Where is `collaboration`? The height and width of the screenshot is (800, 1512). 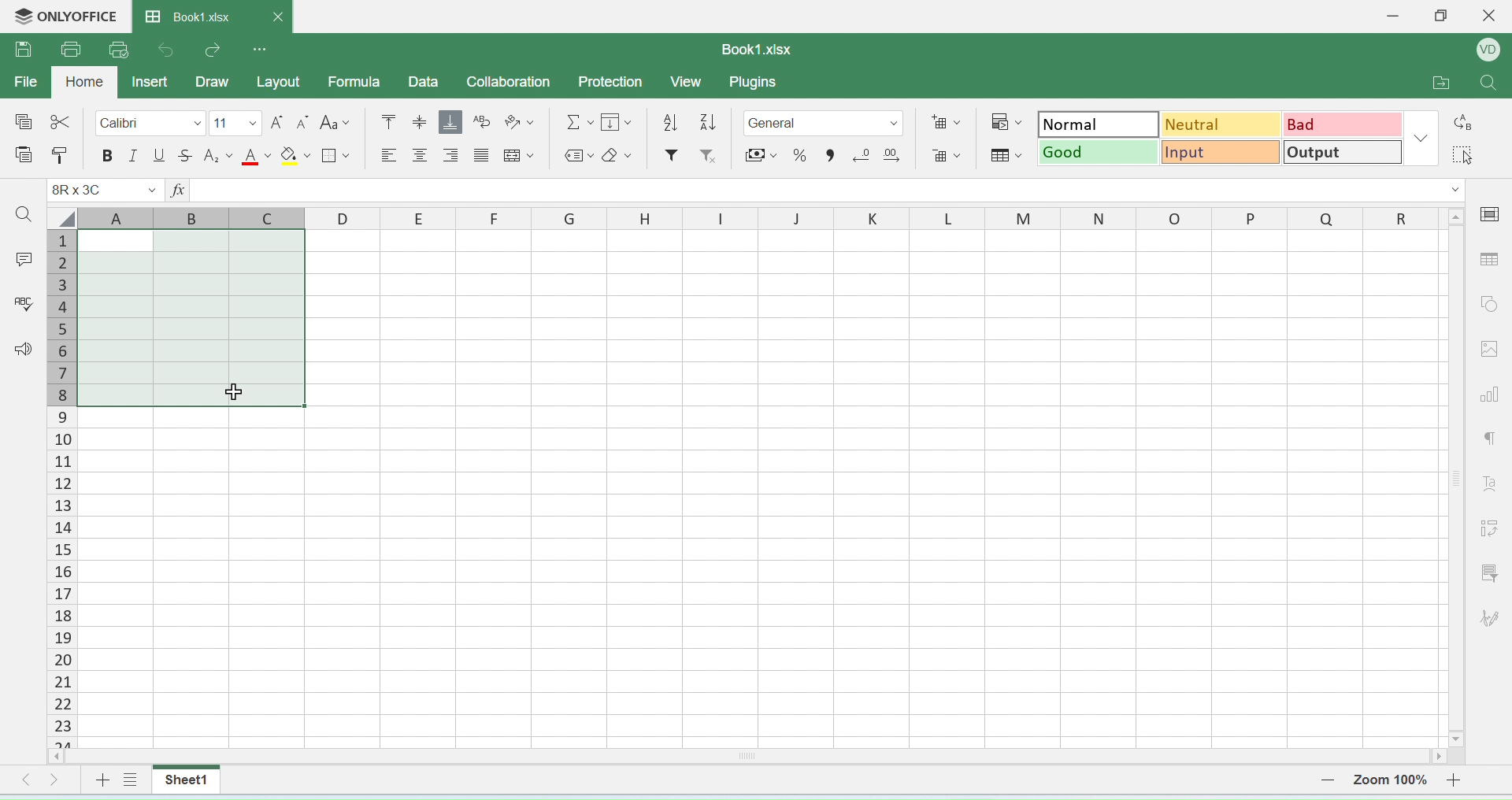 collaboration is located at coordinates (511, 83).